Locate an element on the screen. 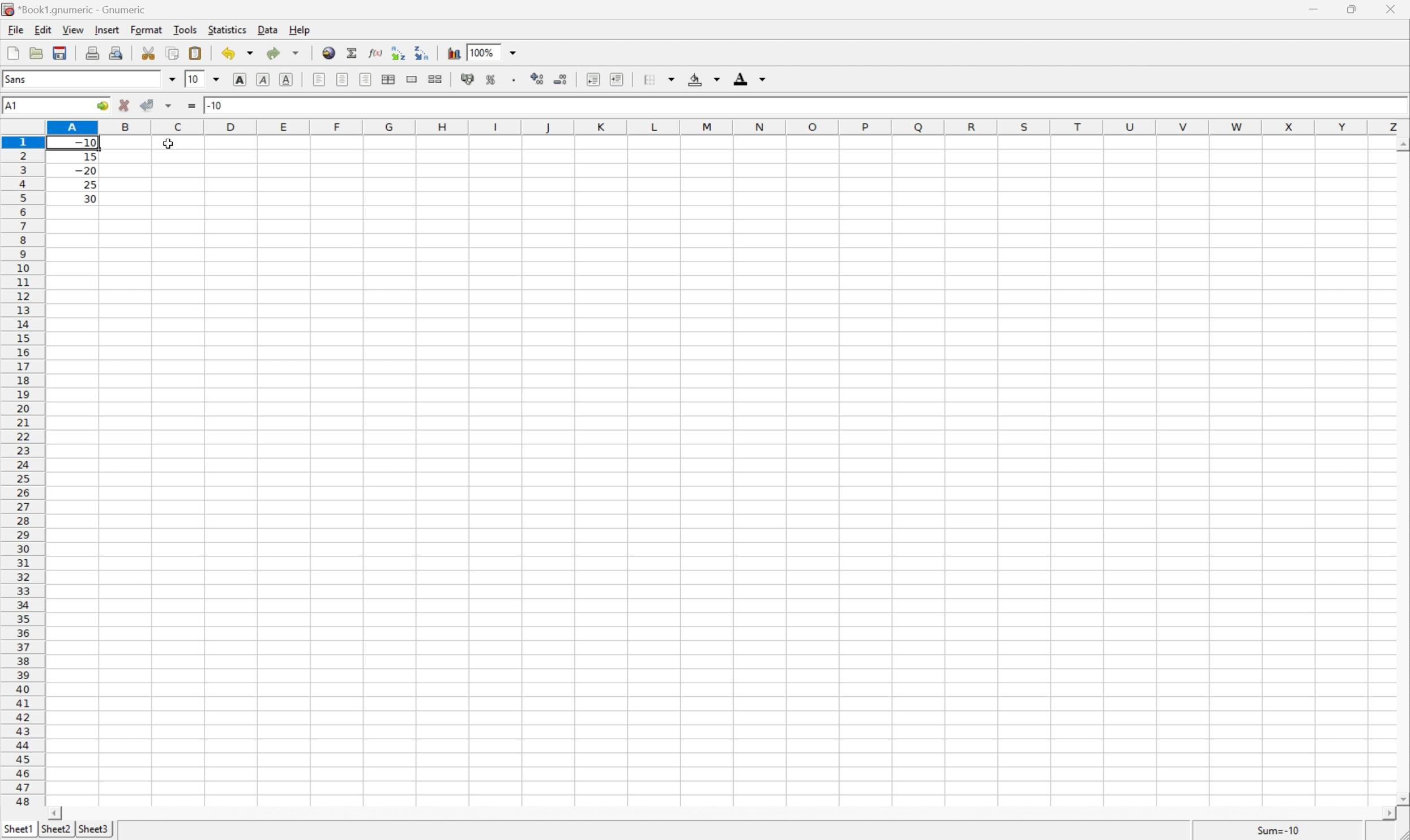  25 is located at coordinates (89, 185).